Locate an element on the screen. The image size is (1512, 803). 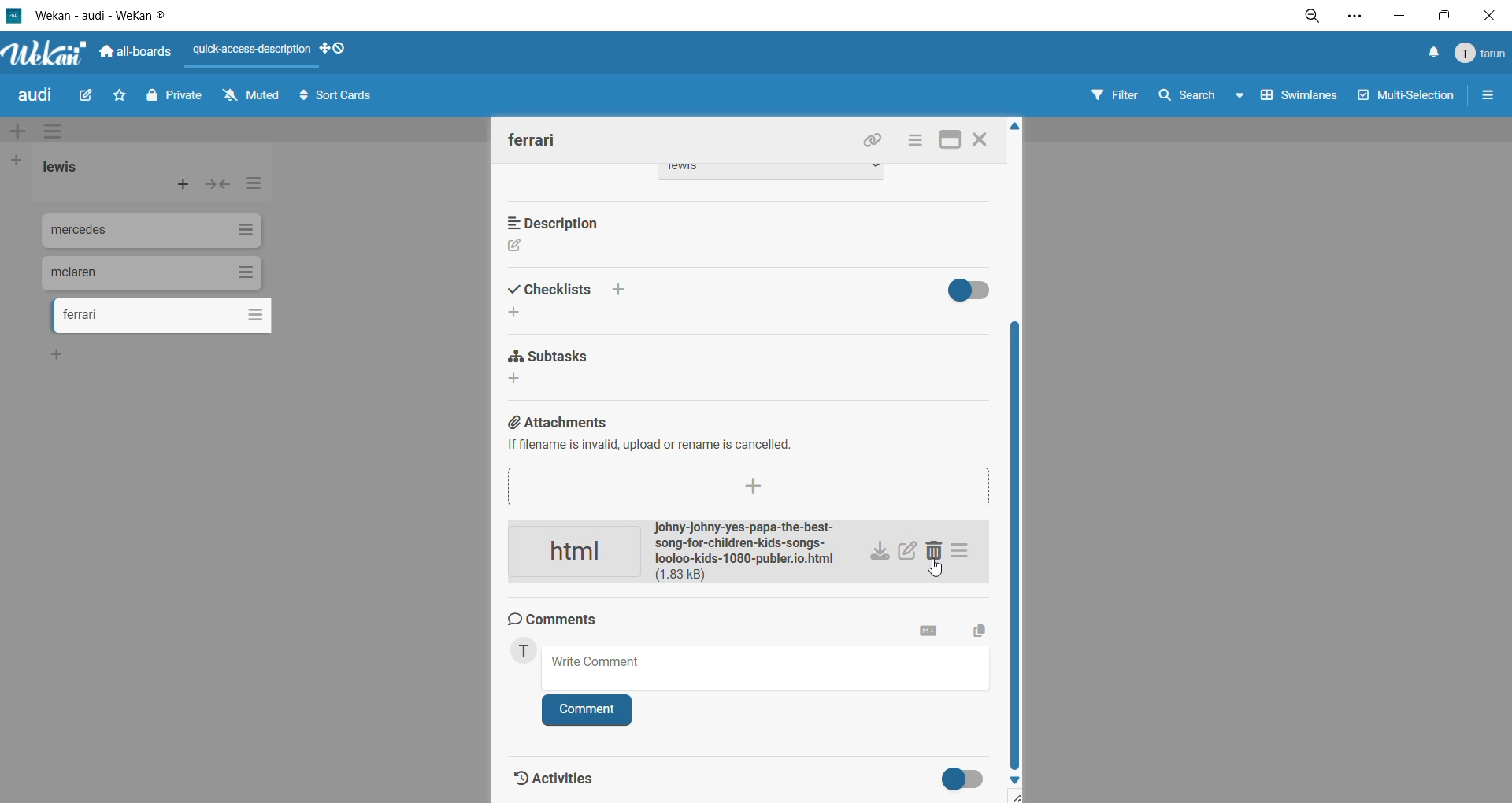
cursor is located at coordinates (939, 570).